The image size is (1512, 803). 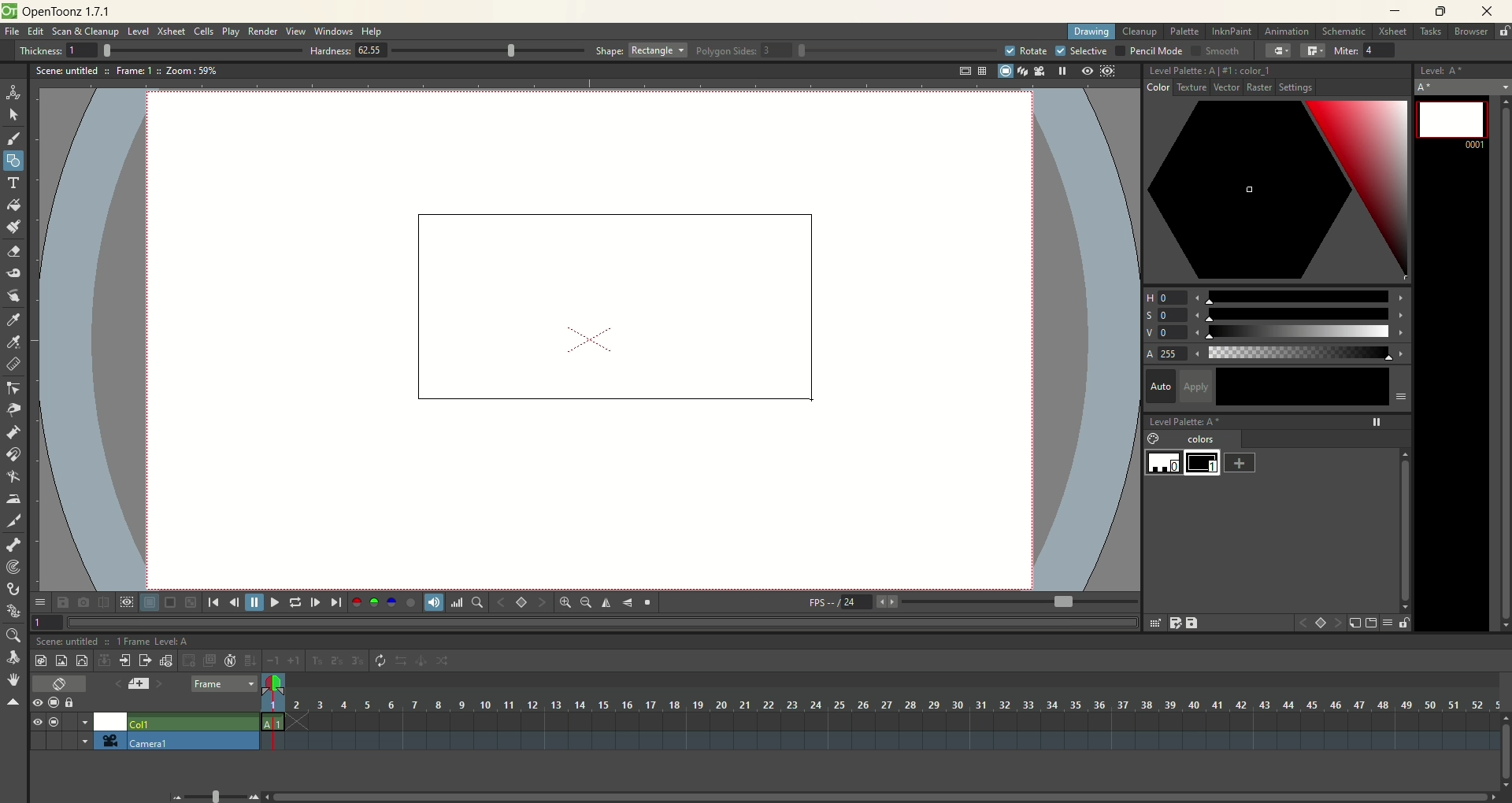 I want to click on auto input cell number, so click(x=231, y=661).